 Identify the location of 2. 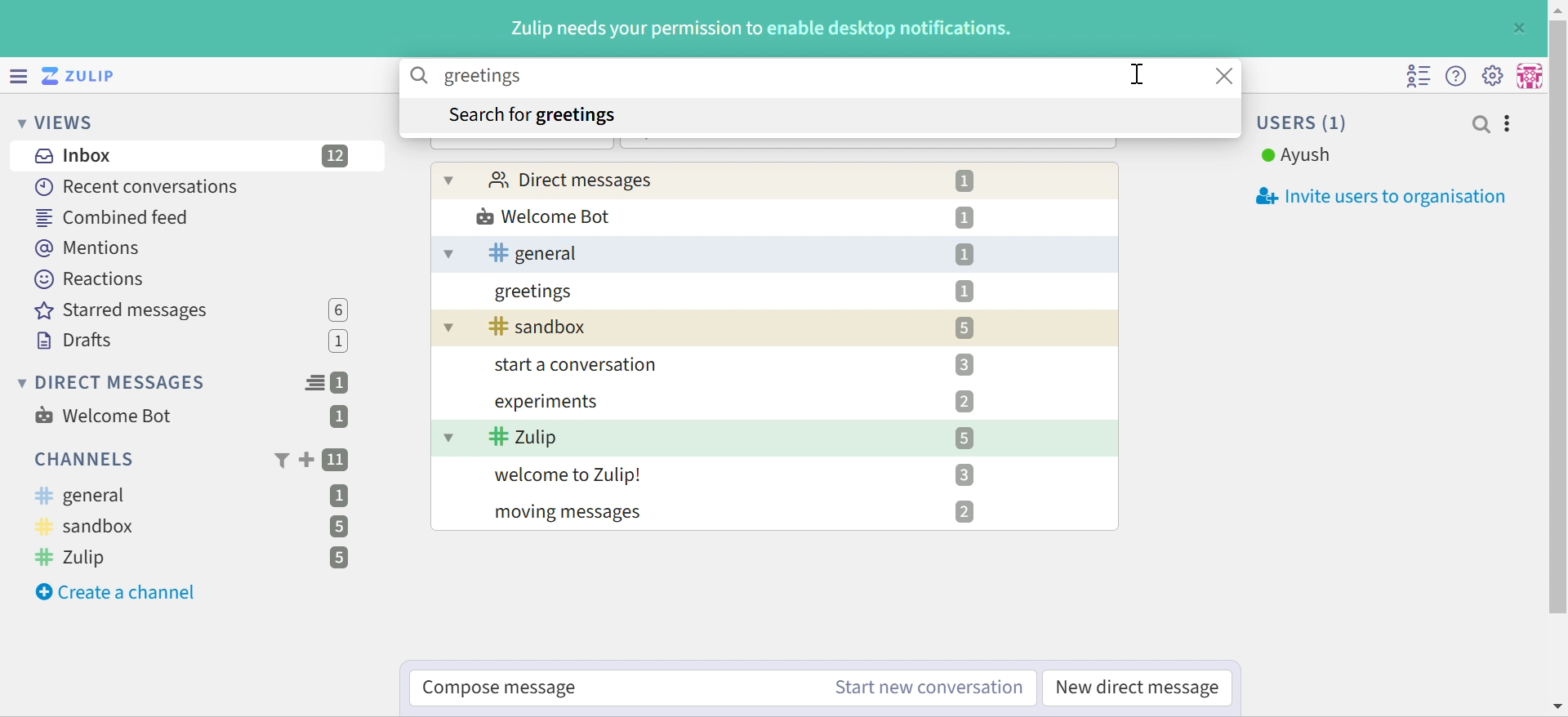
(964, 402).